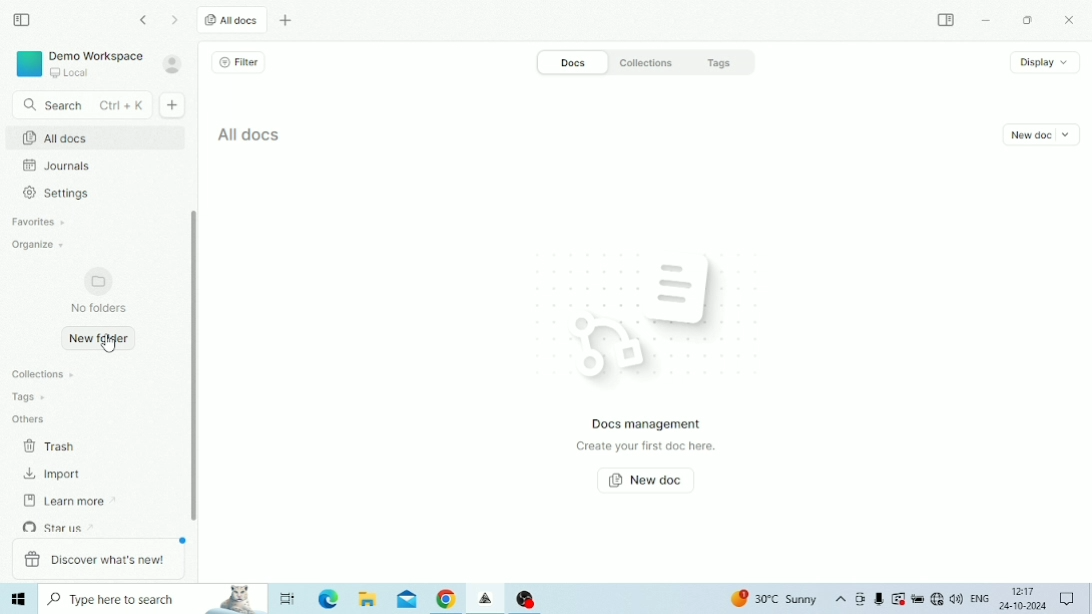 Image resolution: width=1092 pixels, height=614 pixels. I want to click on Expand sidebar, so click(947, 19).